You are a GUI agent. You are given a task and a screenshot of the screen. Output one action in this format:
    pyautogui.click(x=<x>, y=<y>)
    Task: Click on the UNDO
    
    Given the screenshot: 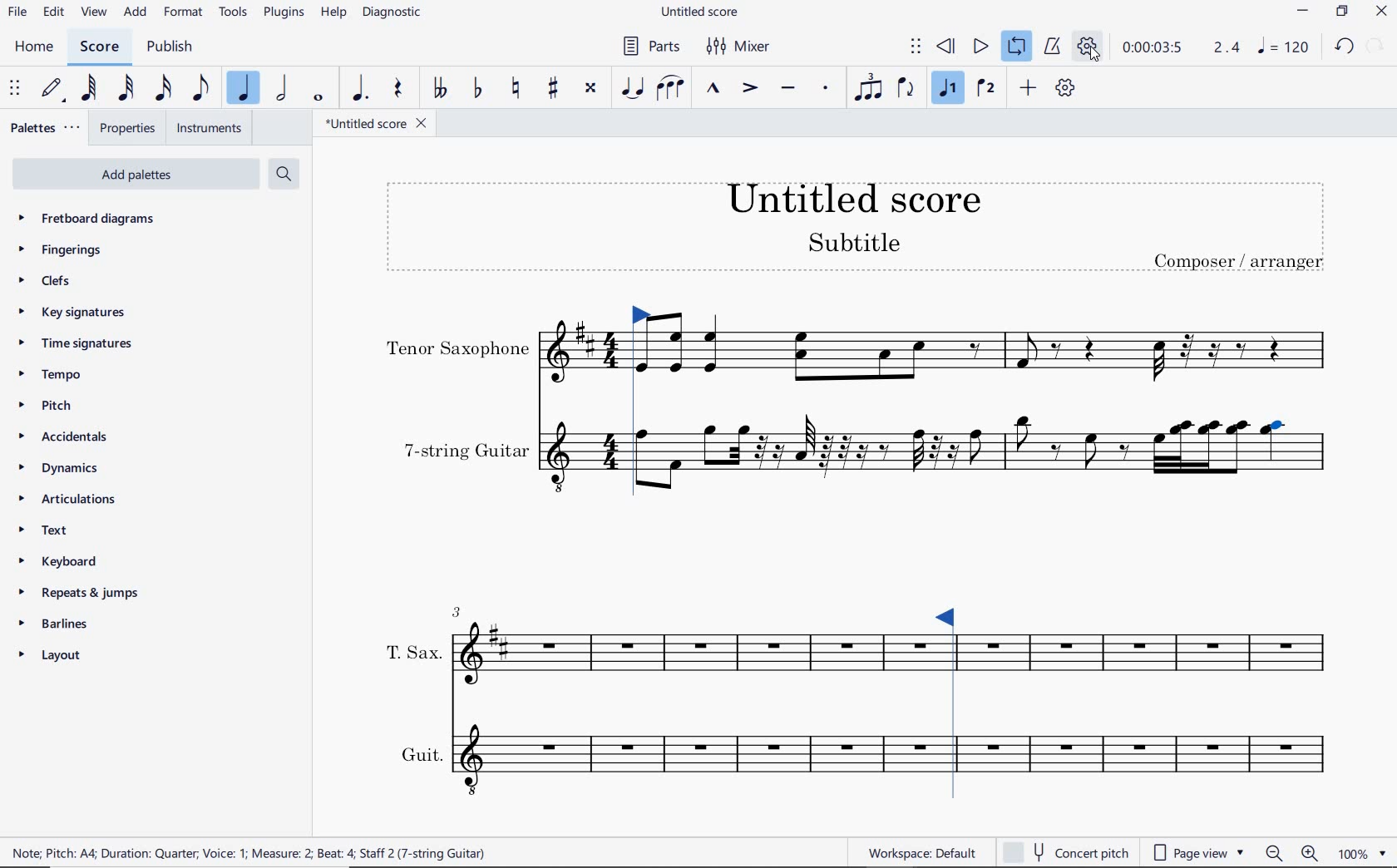 What is the action you would take?
    pyautogui.click(x=1345, y=48)
    